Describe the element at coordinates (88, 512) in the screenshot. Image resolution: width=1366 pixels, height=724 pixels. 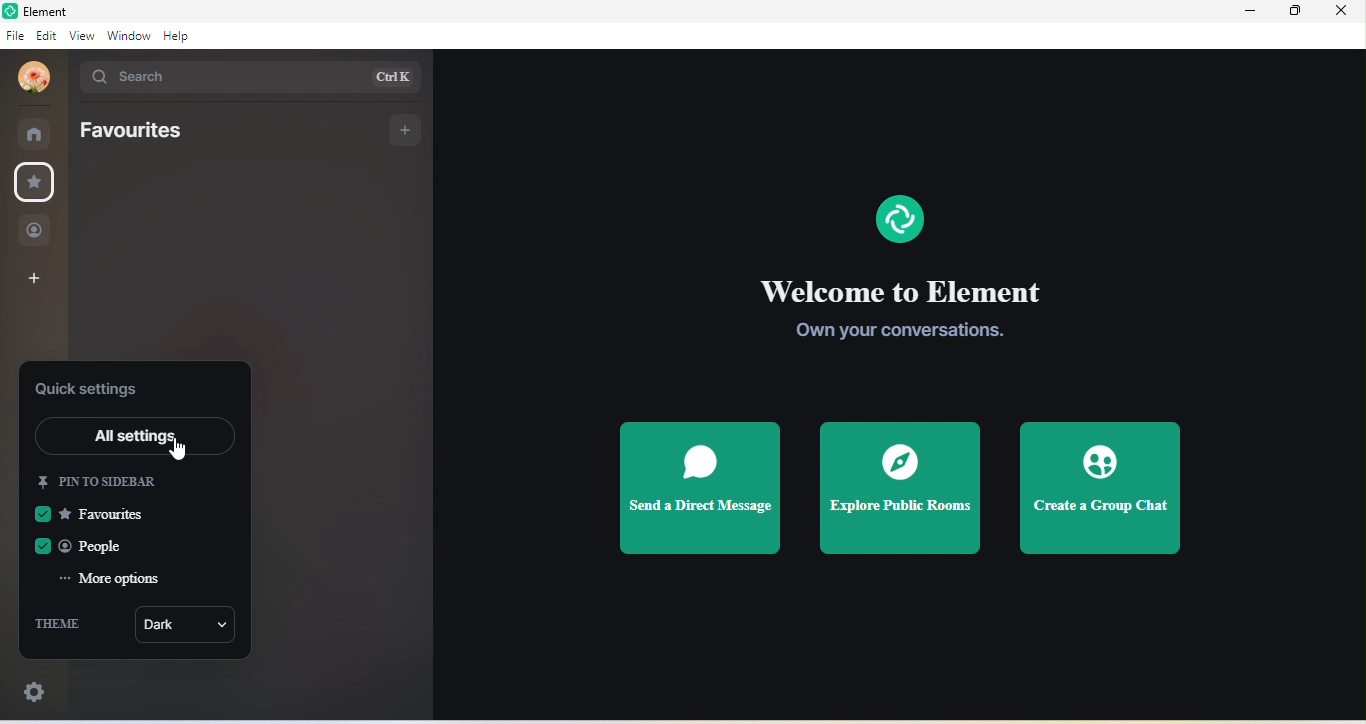
I see `favourites` at that location.